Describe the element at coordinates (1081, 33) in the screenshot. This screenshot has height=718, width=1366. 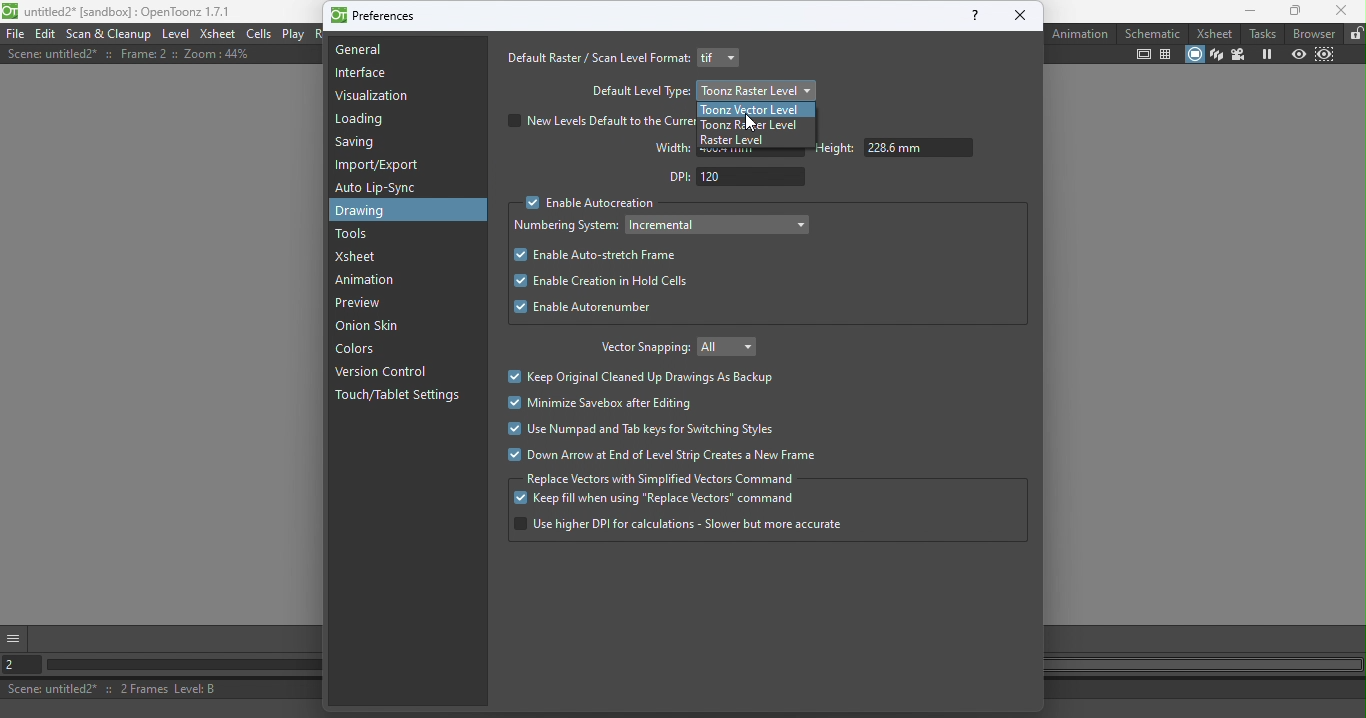
I see `Animation` at that location.